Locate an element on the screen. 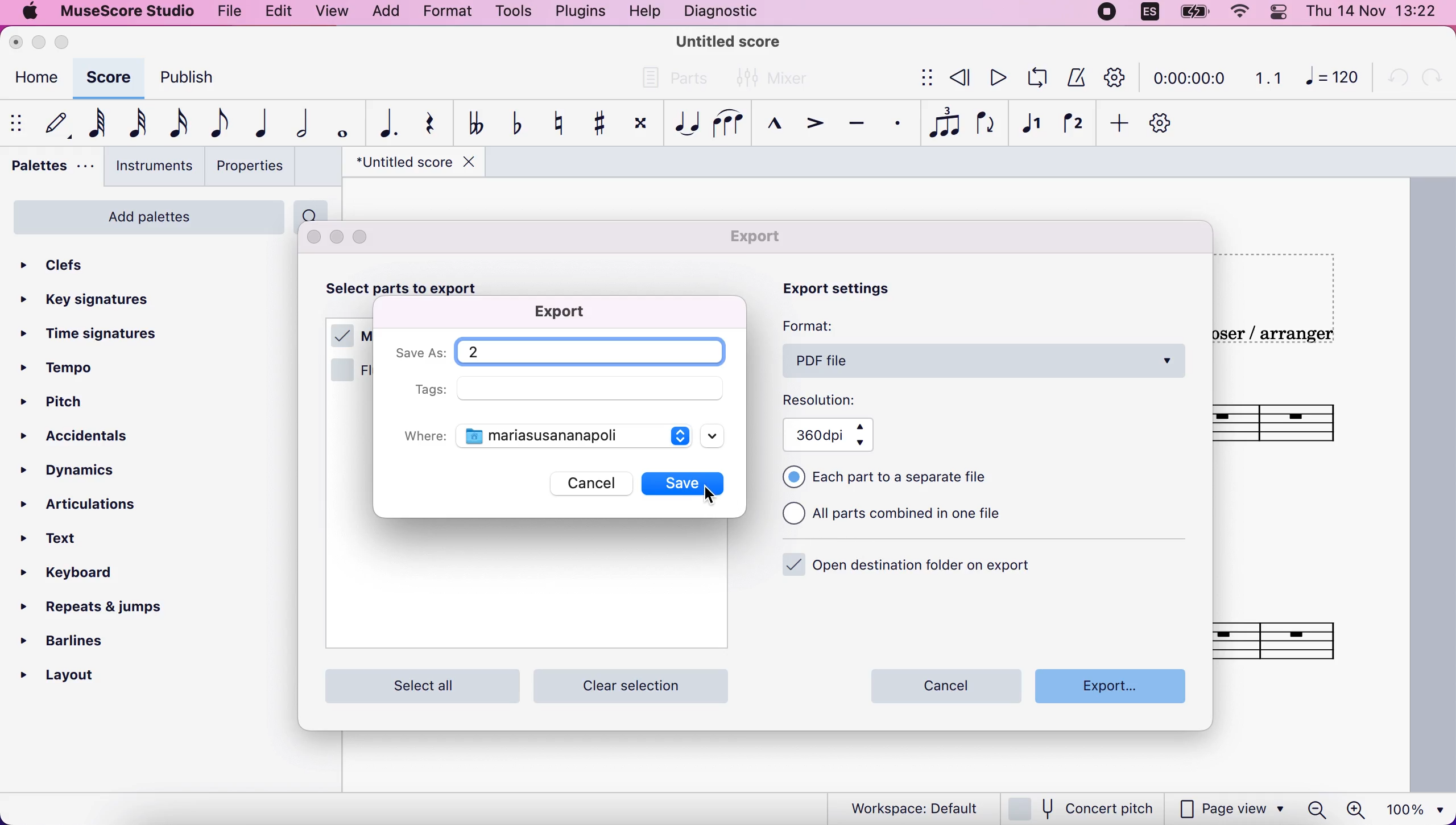 This screenshot has width=1456, height=825. staccato is located at coordinates (895, 125).